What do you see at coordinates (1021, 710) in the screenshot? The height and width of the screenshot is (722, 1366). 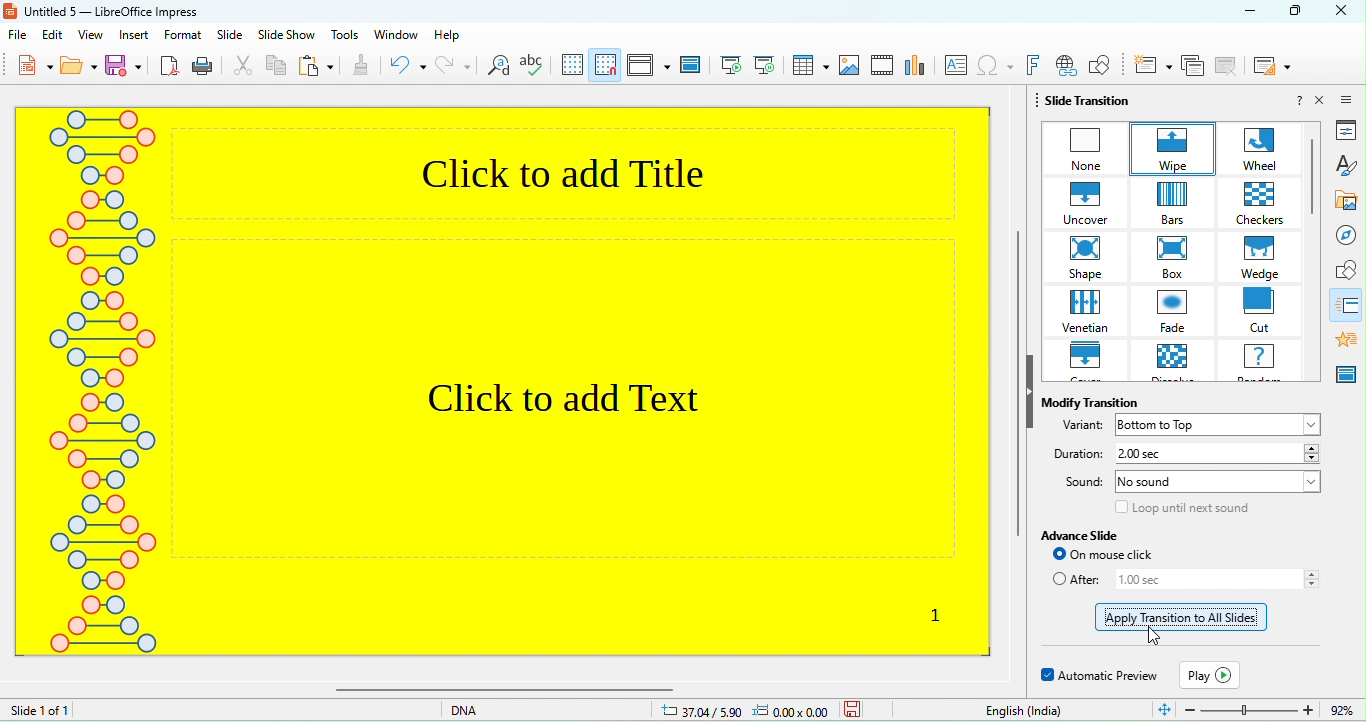 I see `text language` at bounding box center [1021, 710].